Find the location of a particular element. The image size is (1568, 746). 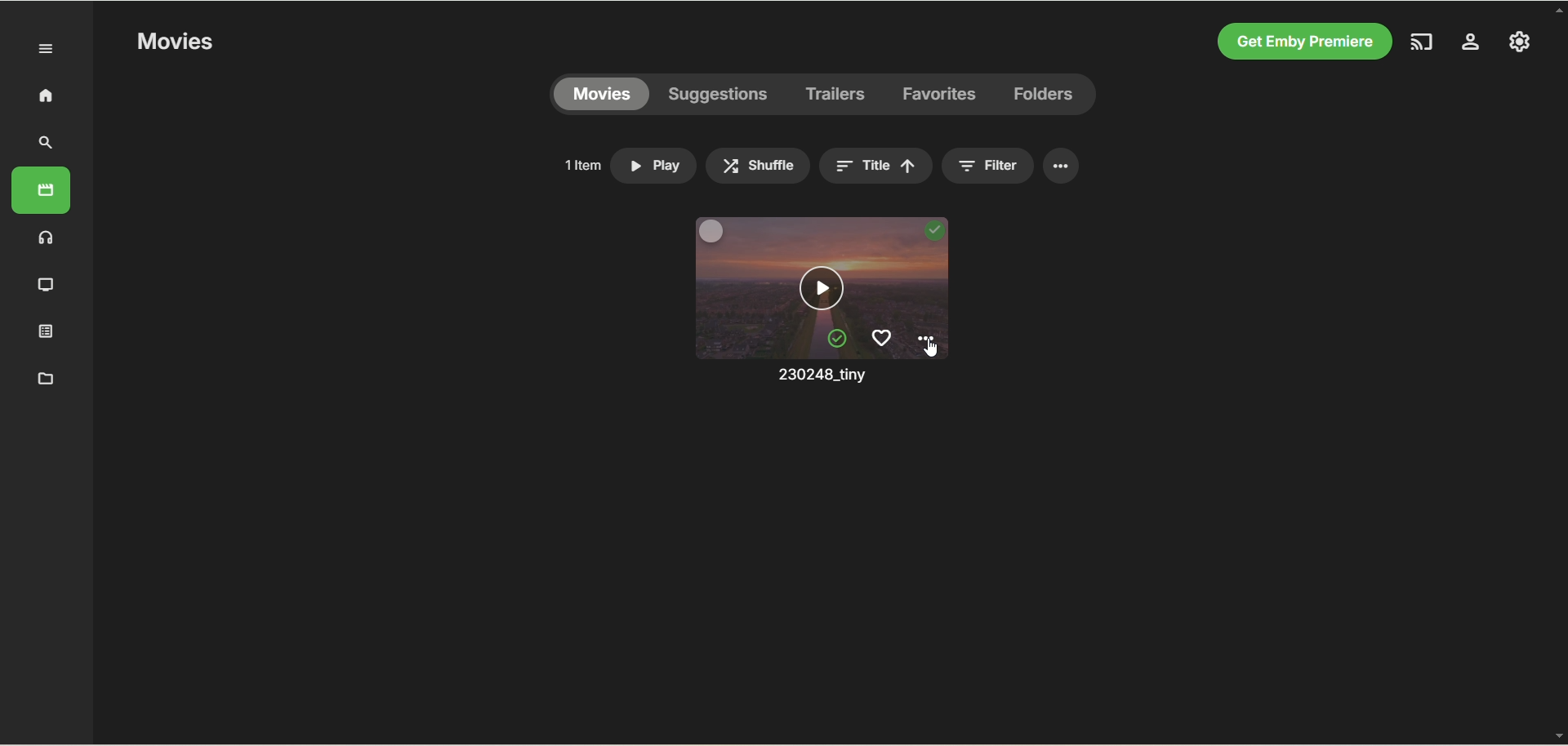

movies is located at coordinates (601, 95).